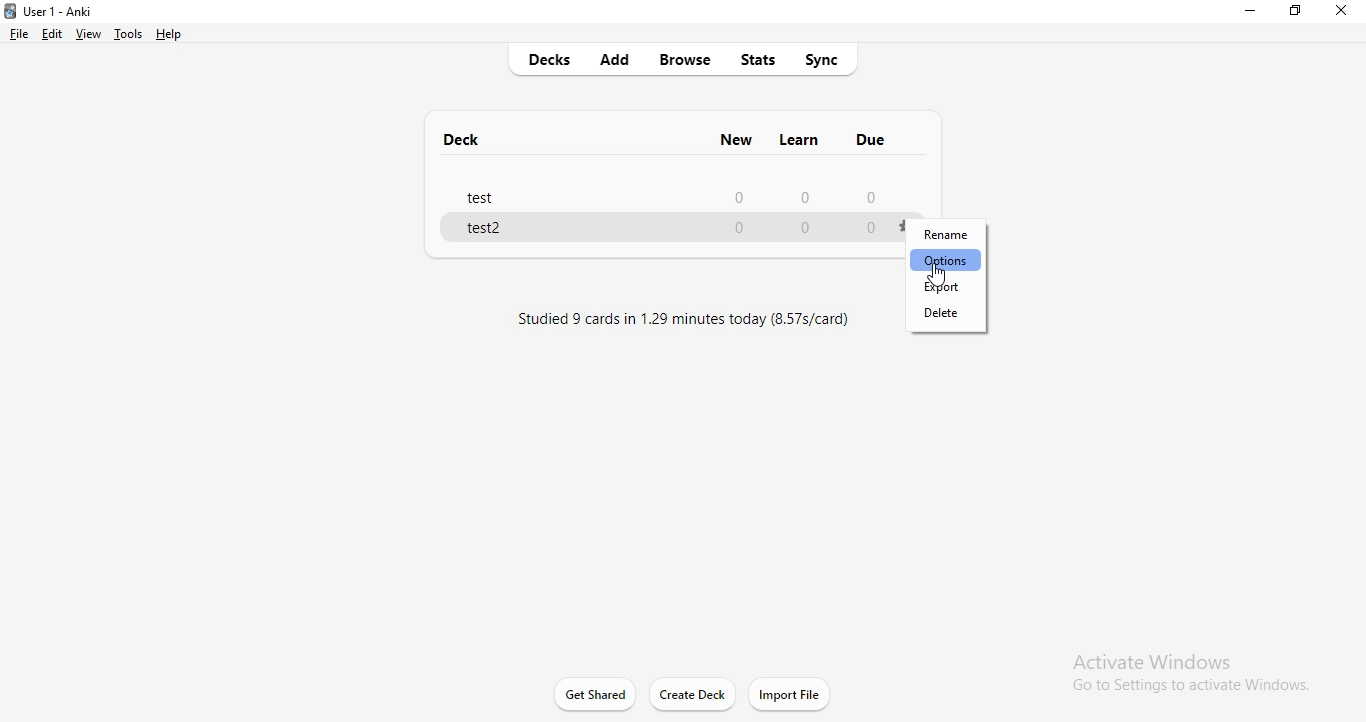 The width and height of the screenshot is (1366, 722). Describe the element at coordinates (52, 35) in the screenshot. I see `edit` at that location.